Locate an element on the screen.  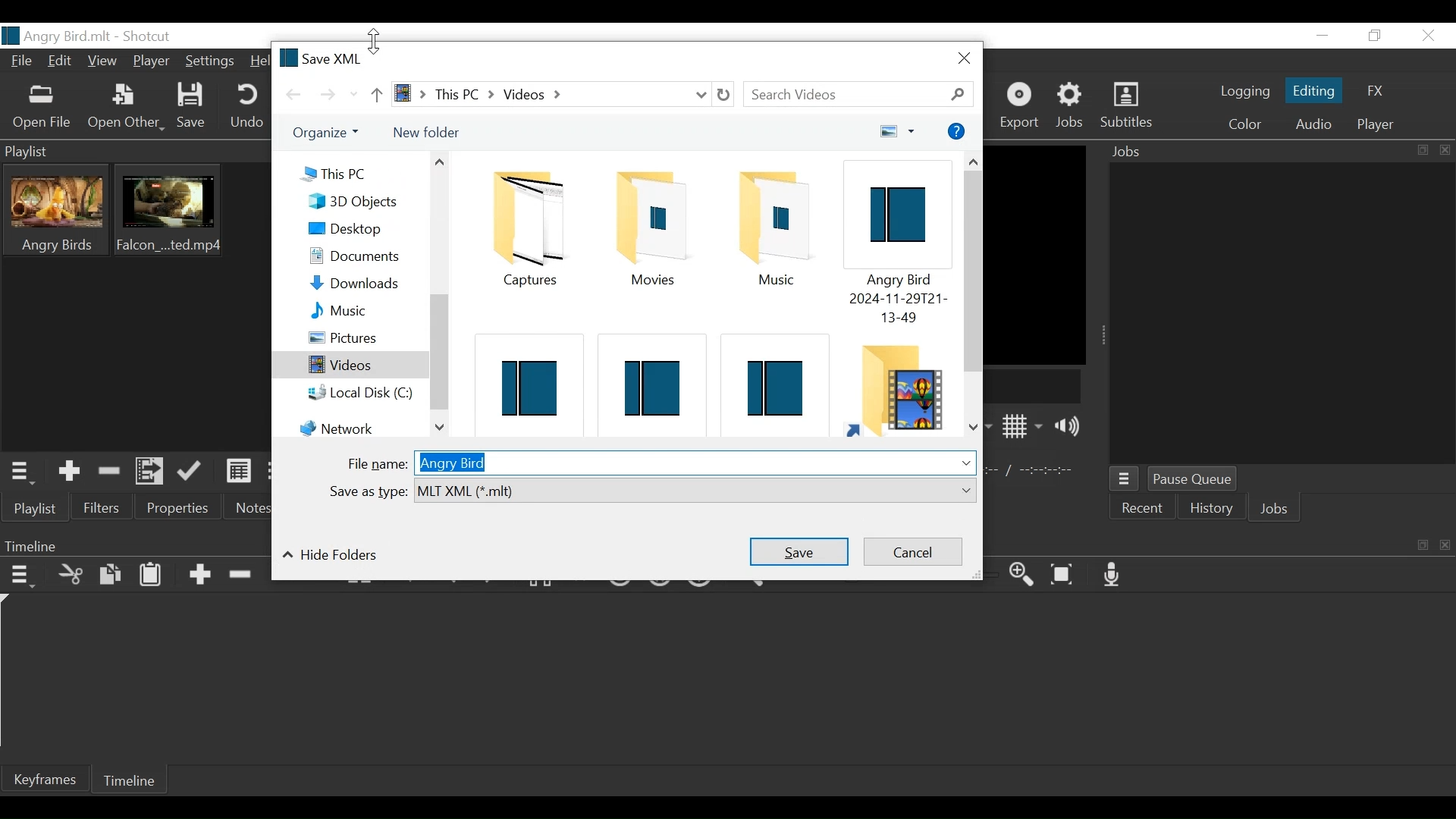
File name is located at coordinates (55, 37).